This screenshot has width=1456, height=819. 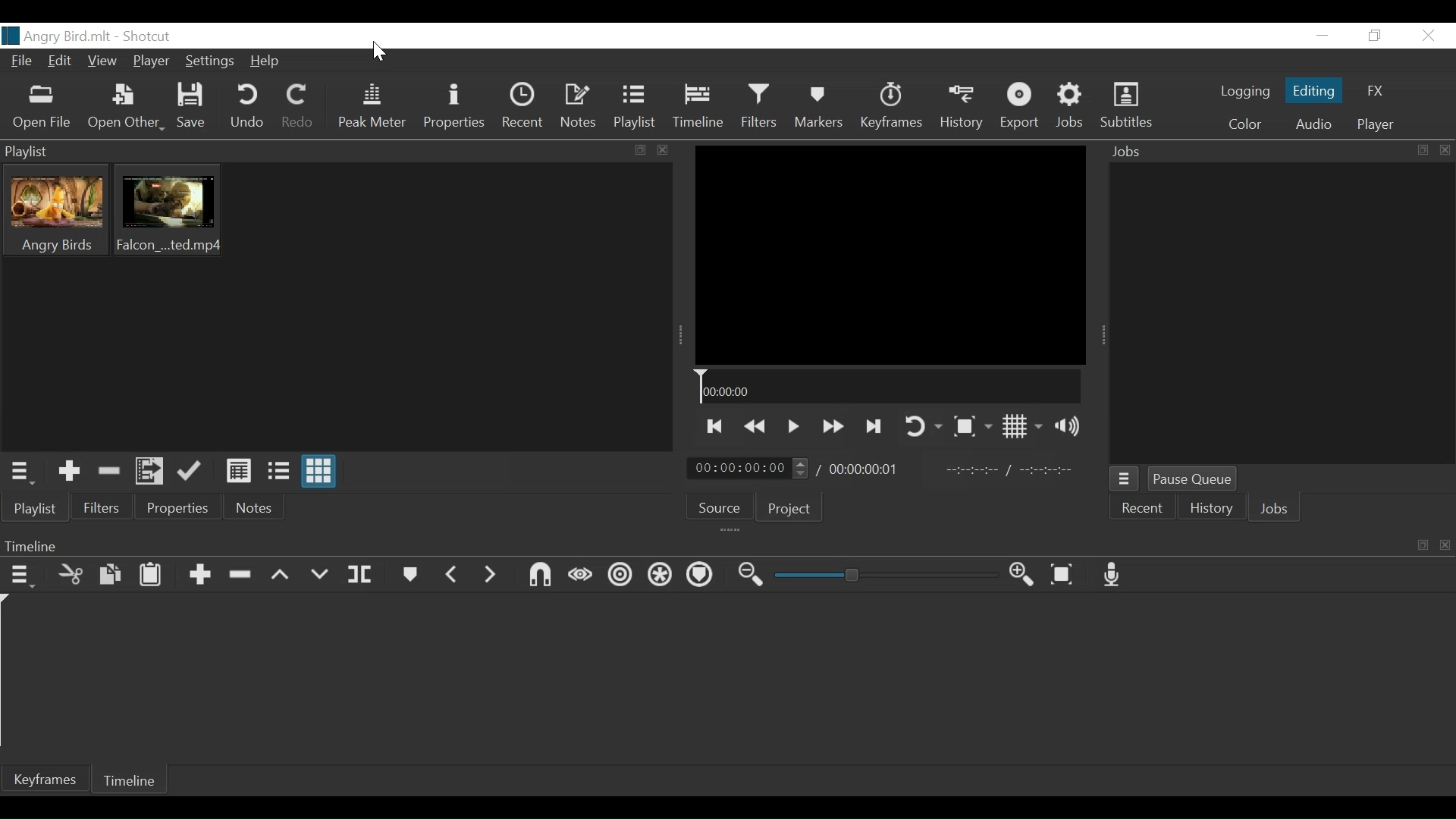 I want to click on Split at playhead, so click(x=365, y=575).